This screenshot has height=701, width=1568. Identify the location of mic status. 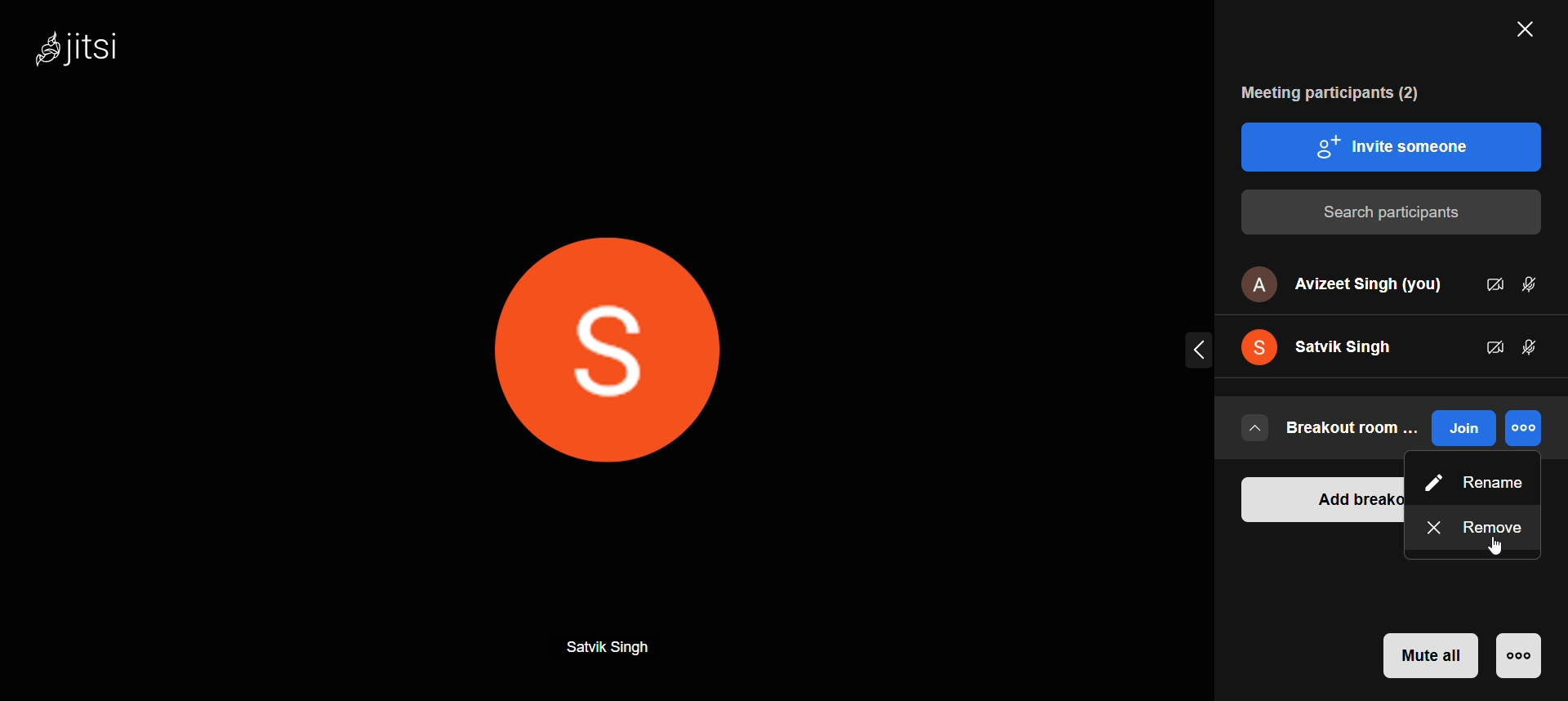
(1531, 284).